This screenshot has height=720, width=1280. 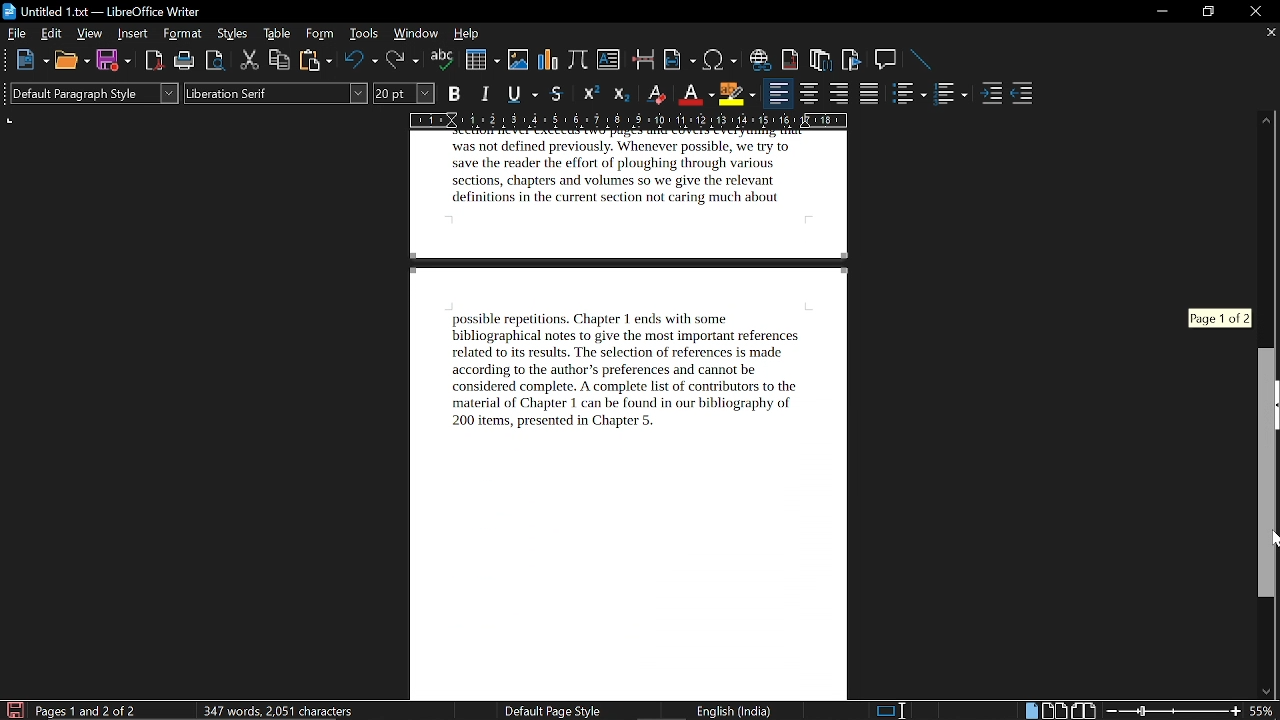 I want to click on move down, so click(x=1267, y=693).